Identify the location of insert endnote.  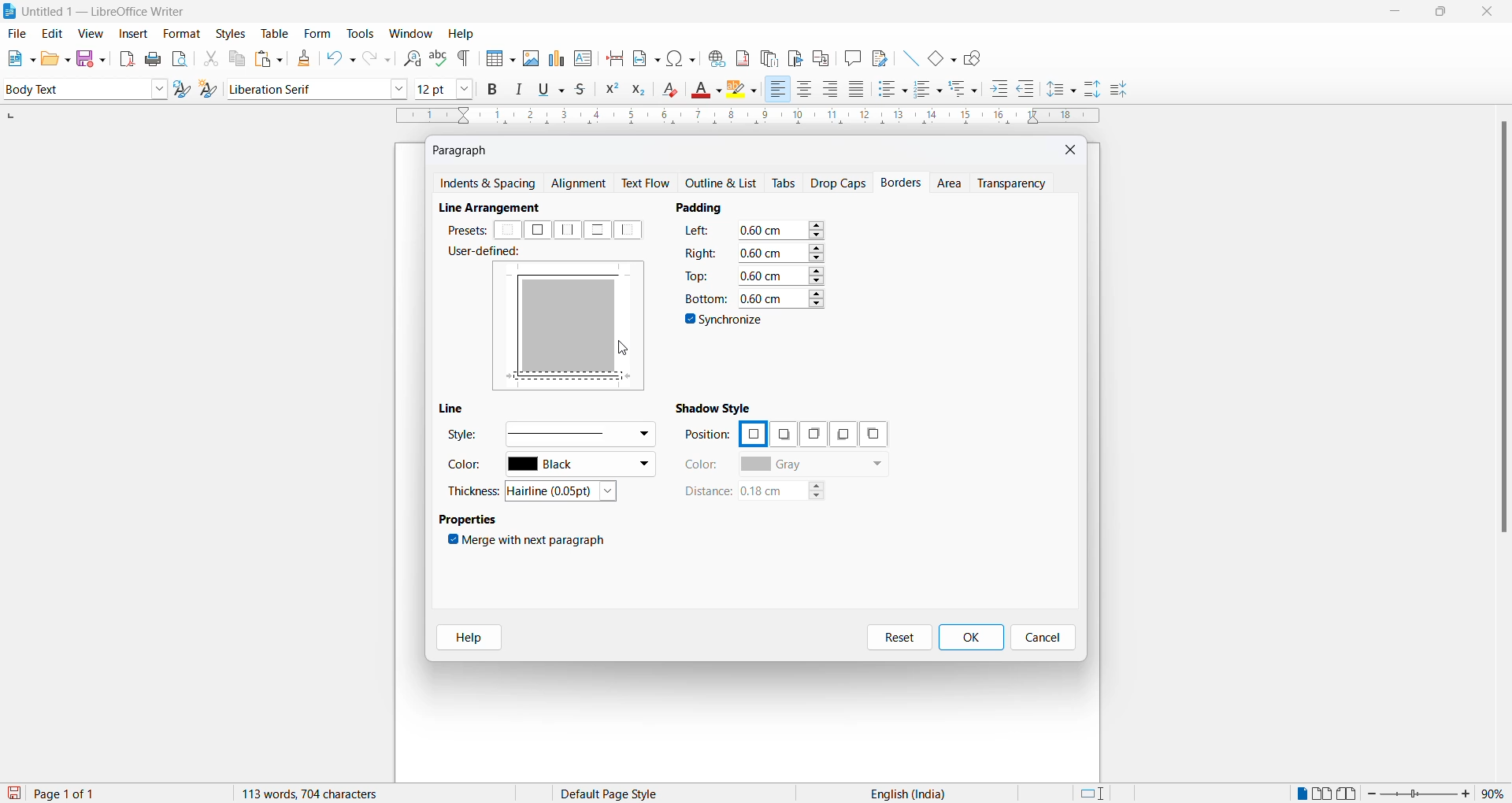
(766, 56).